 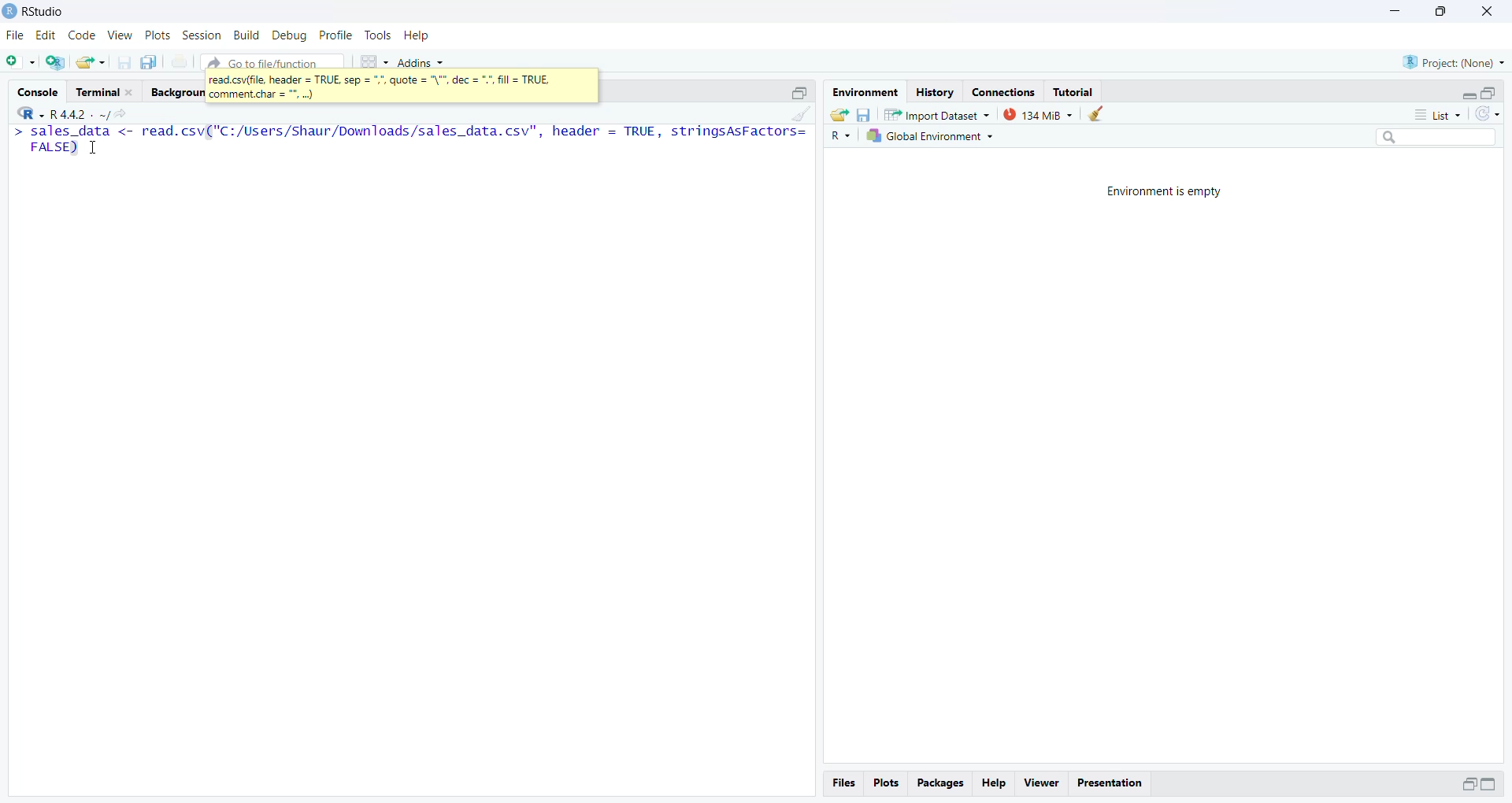 What do you see at coordinates (150, 63) in the screenshot?
I see `Save all open documents (CTRL + ALT + S)` at bounding box center [150, 63].